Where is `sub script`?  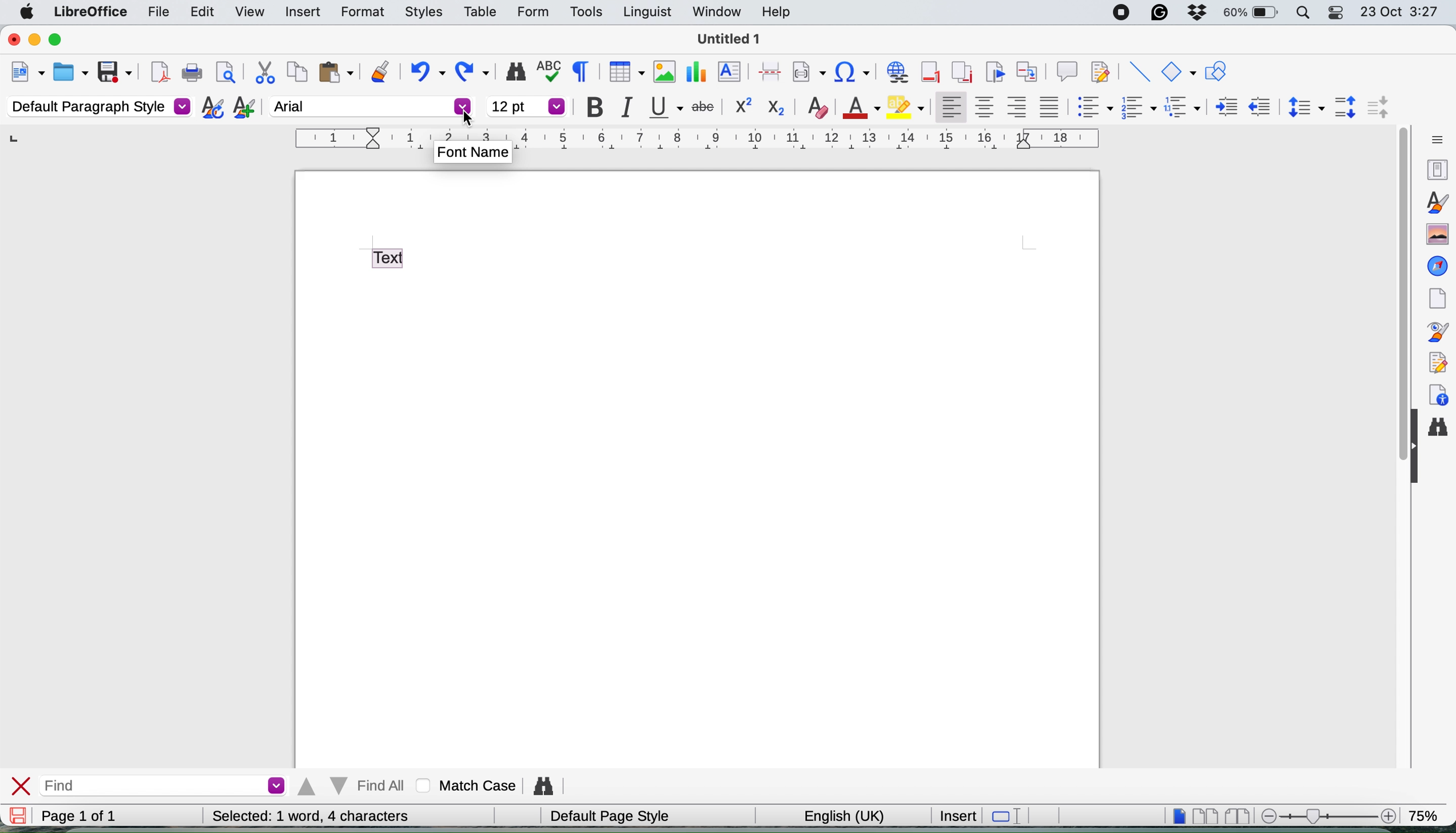
sub script is located at coordinates (778, 106).